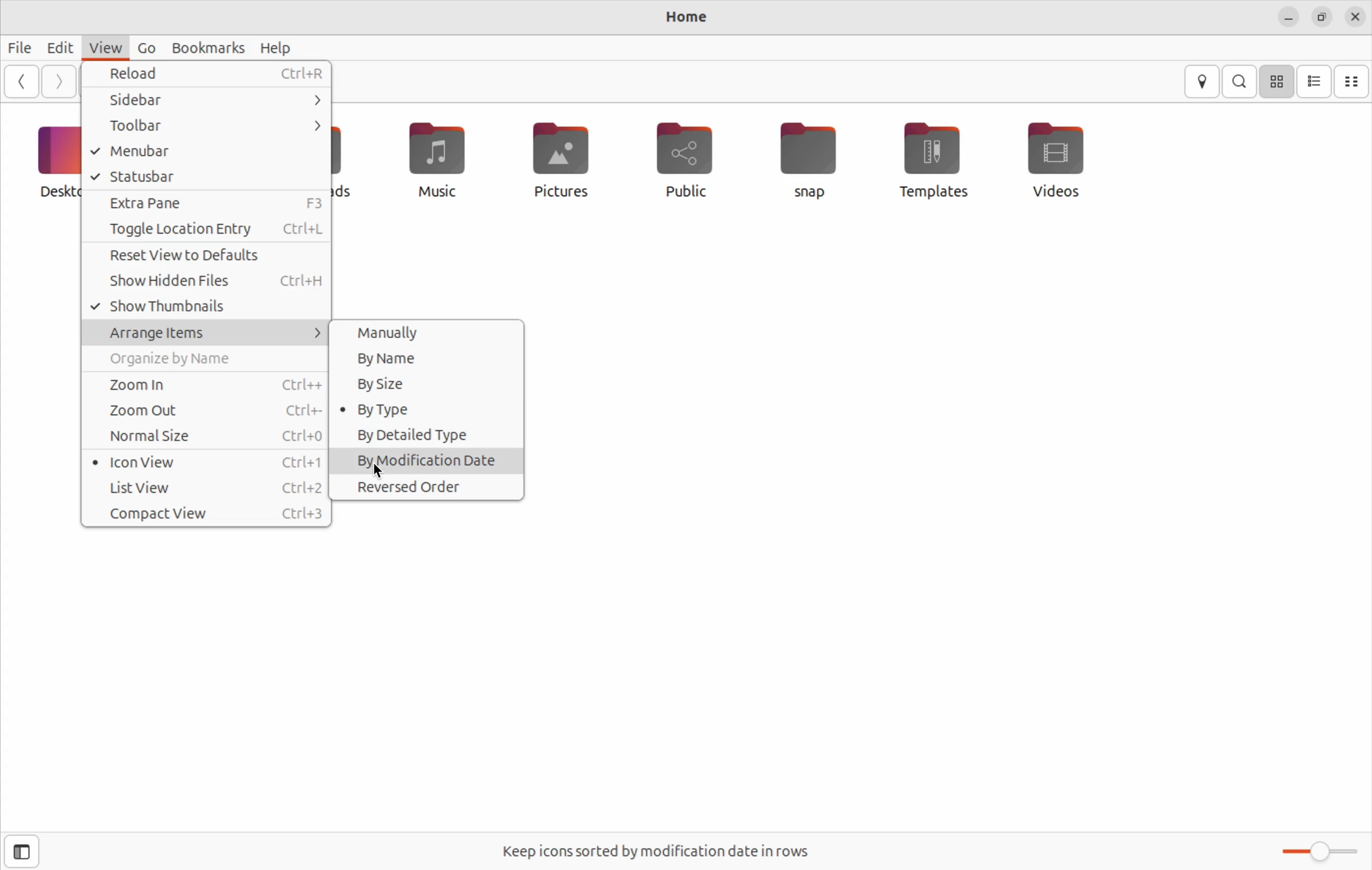  I want to click on By modification date, so click(430, 460).